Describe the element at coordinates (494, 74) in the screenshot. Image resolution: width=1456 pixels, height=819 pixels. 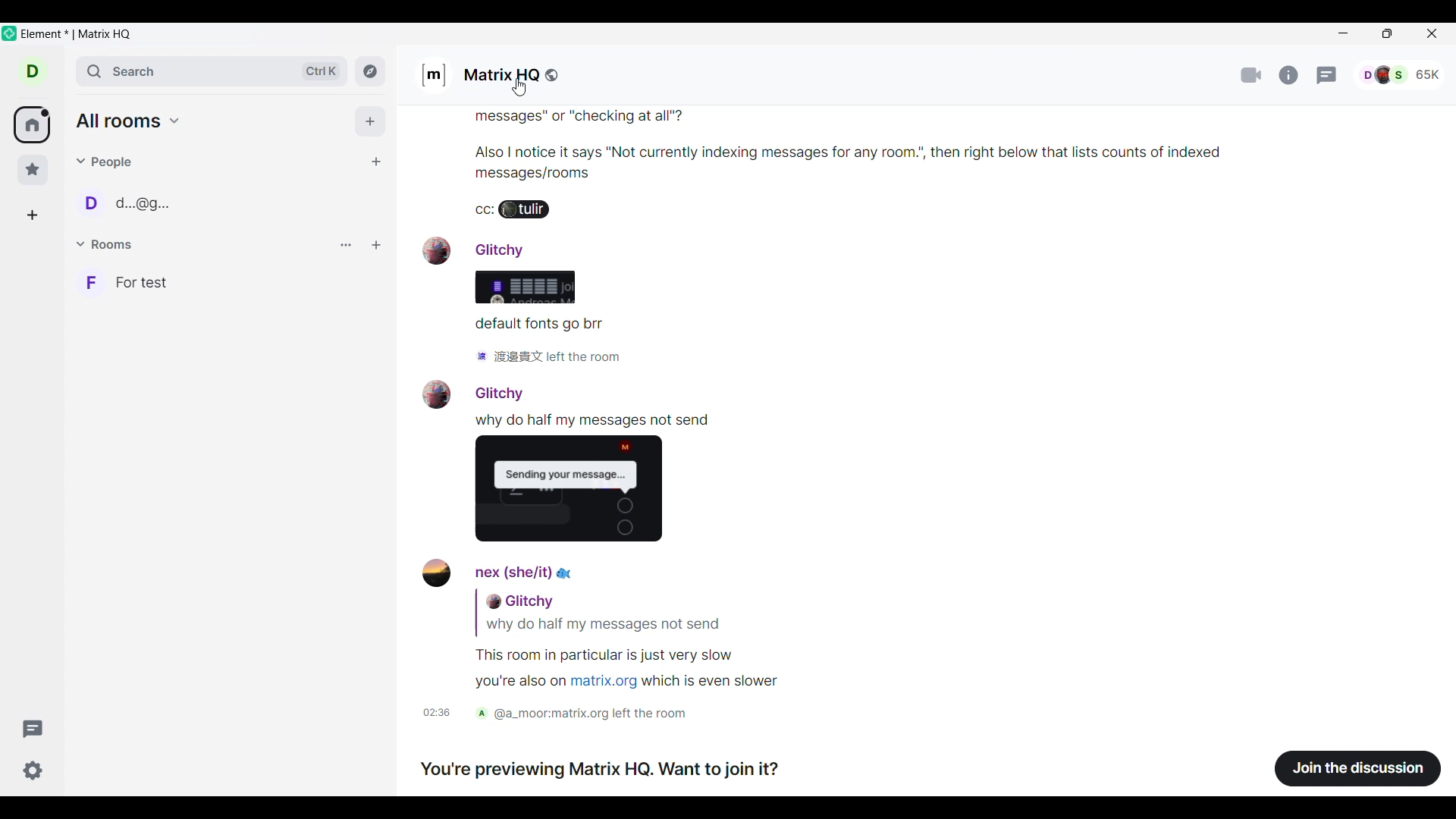
I see `Room settings, Room Name: Matrix HQ` at that location.